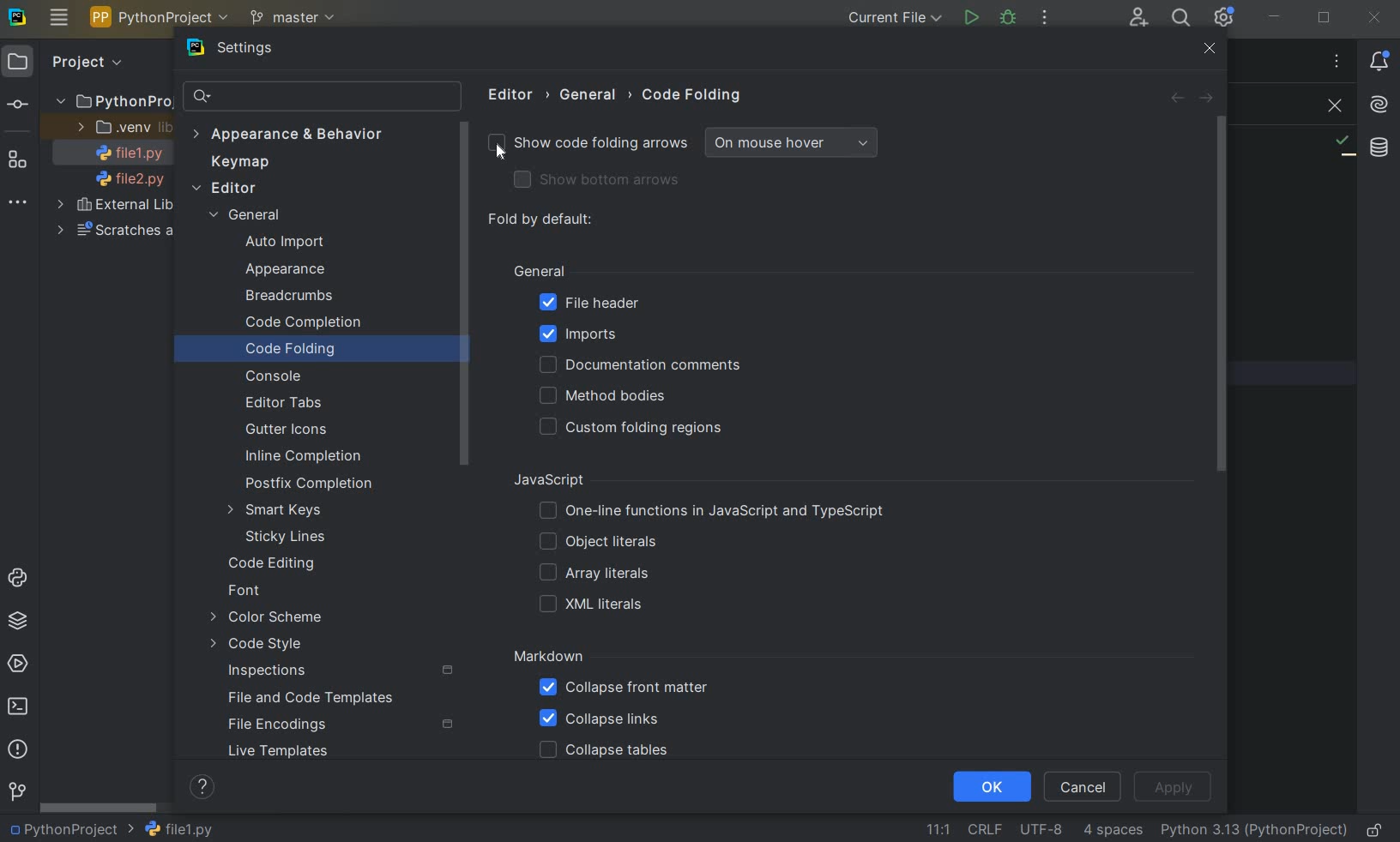 The width and height of the screenshot is (1400, 842). What do you see at coordinates (542, 220) in the screenshot?
I see `FOLD BY DEFAULT` at bounding box center [542, 220].